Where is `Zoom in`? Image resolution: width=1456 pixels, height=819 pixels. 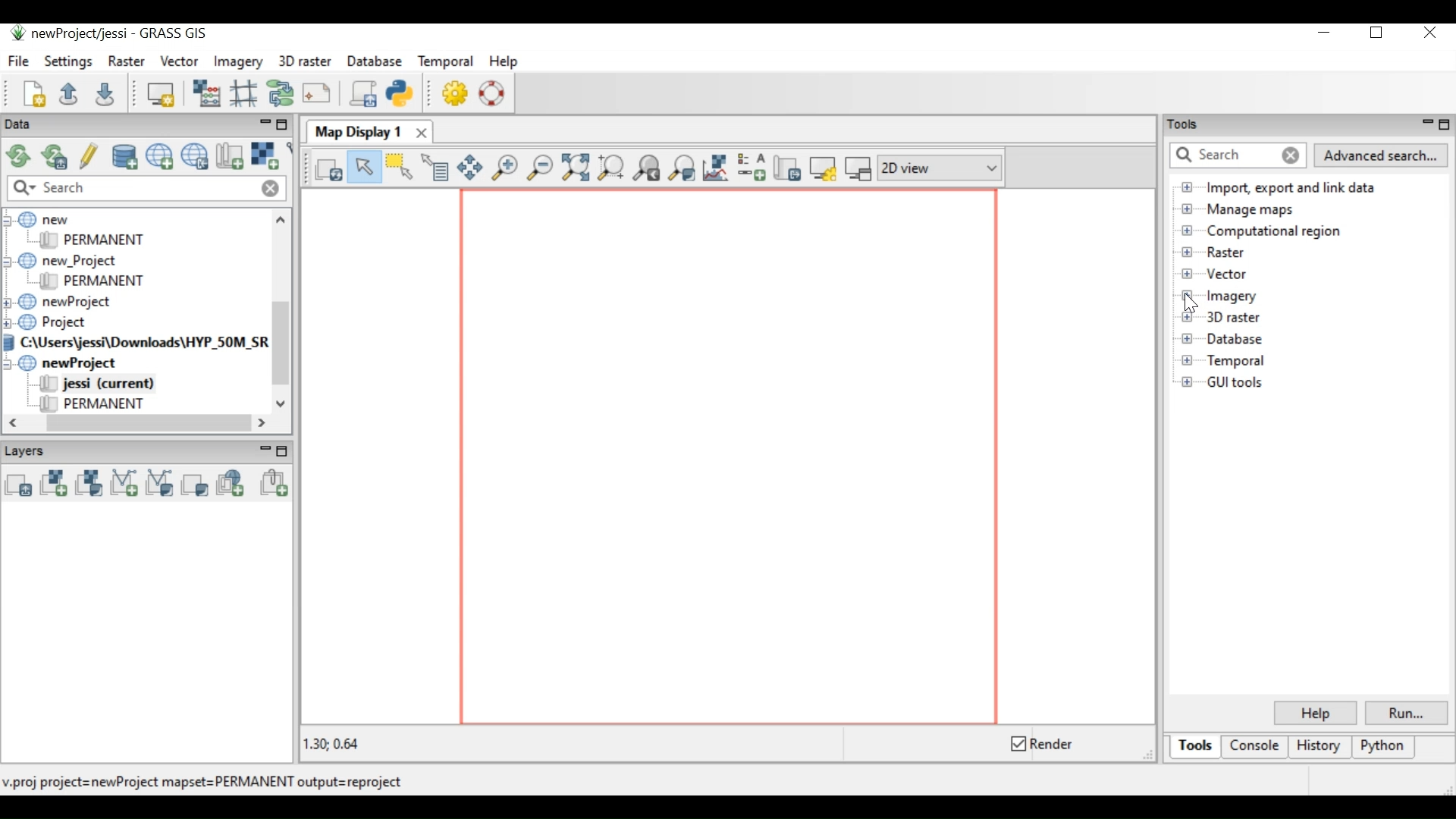
Zoom in is located at coordinates (503, 168).